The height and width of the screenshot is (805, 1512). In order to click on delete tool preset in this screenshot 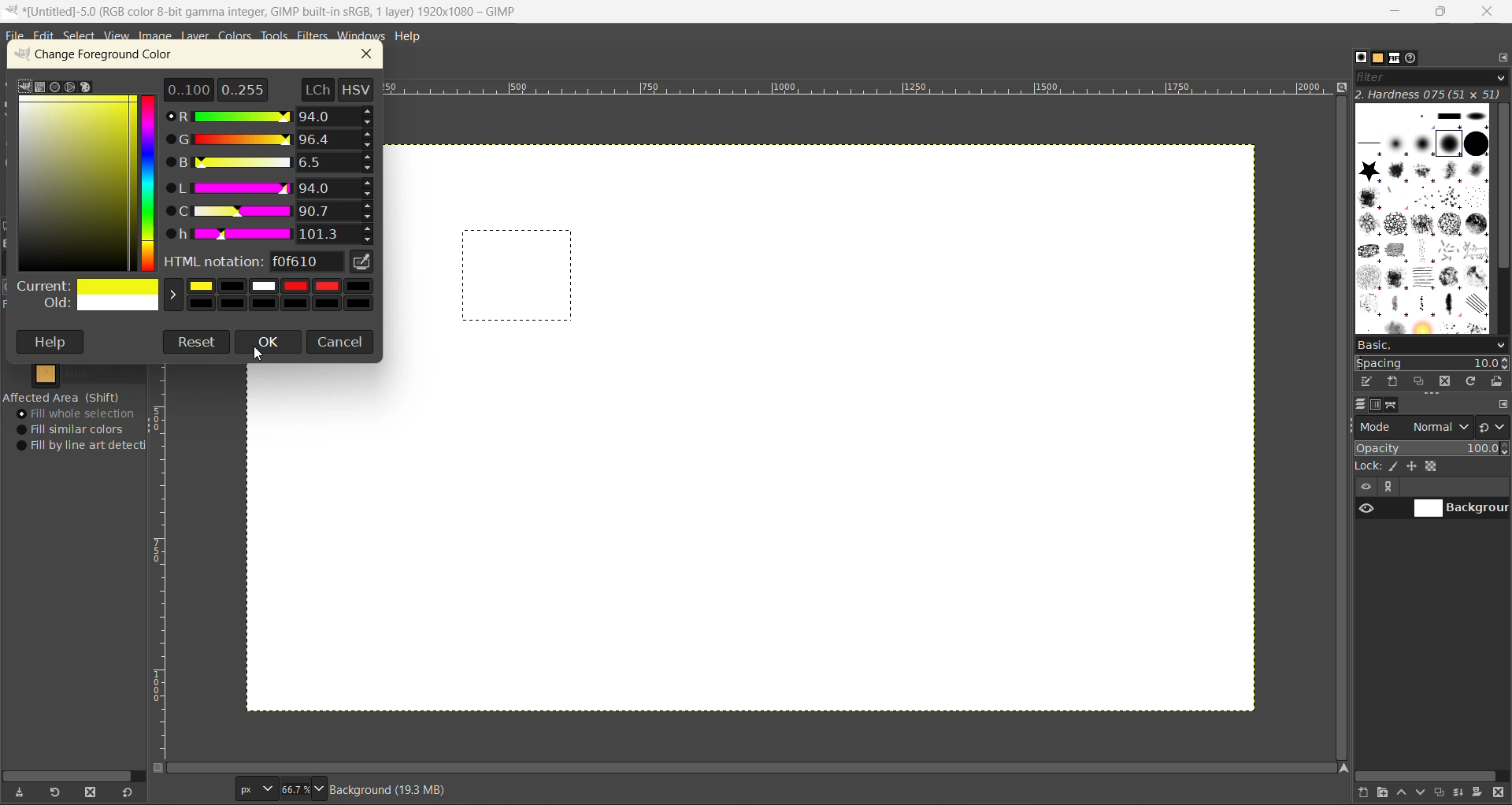, I will do `click(91, 790)`.